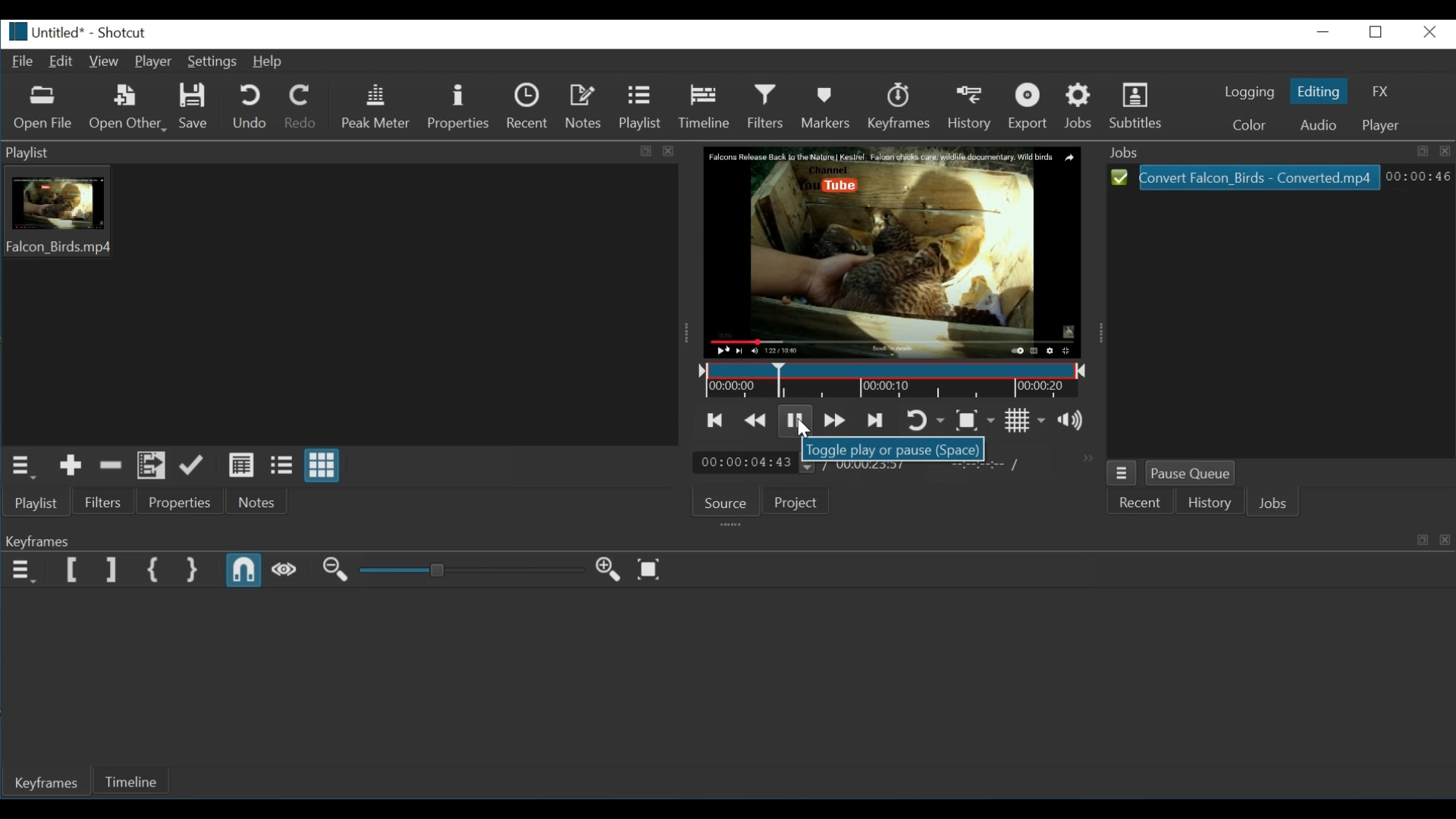 The height and width of the screenshot is (819, 1456). Describe the element at coordinates (1319, 34) in the screenshot. I see `minimize` at that location.